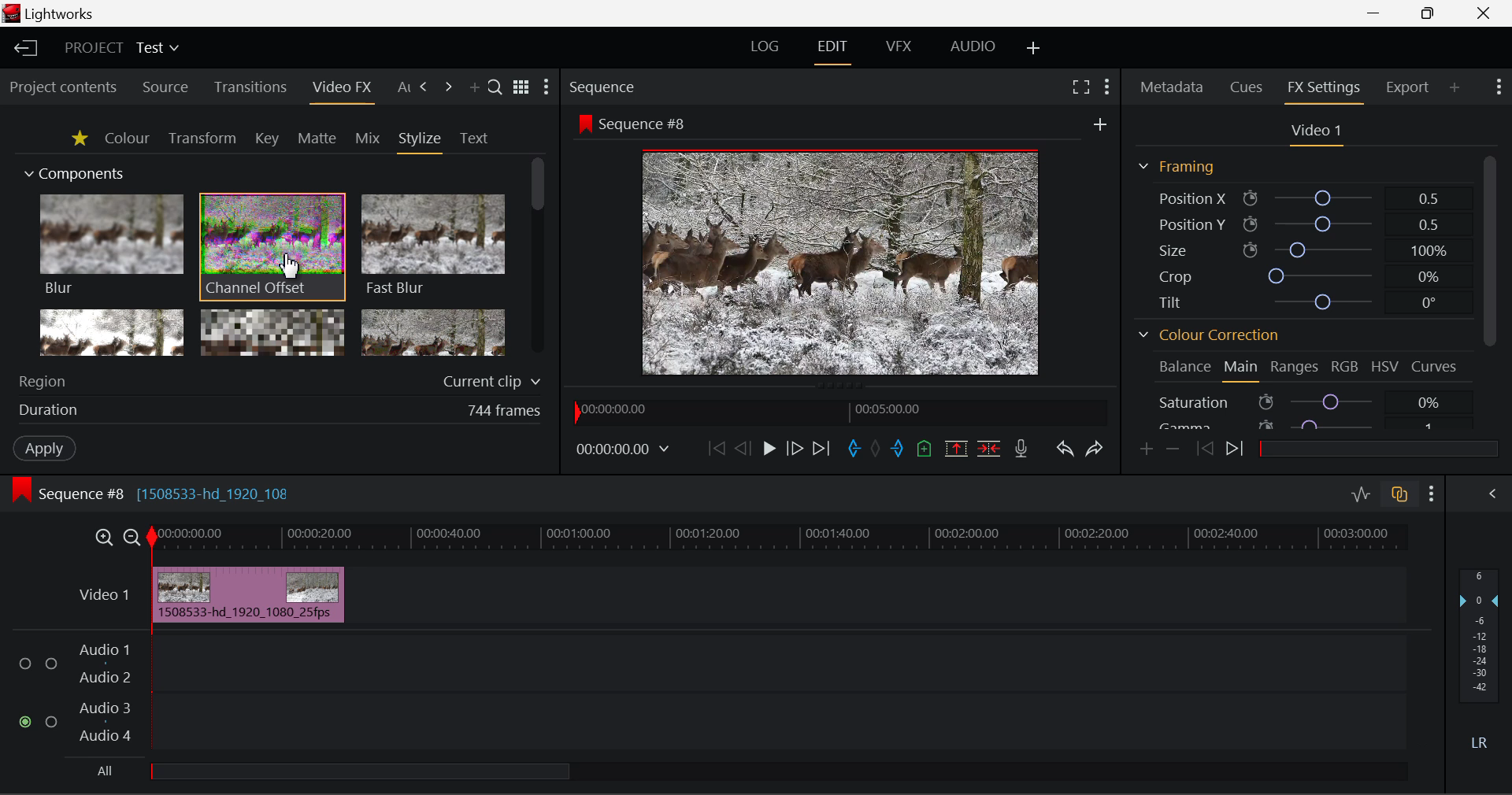 This screenshot has height=795, width=1512. I want to click on Source, so click(167, 87).